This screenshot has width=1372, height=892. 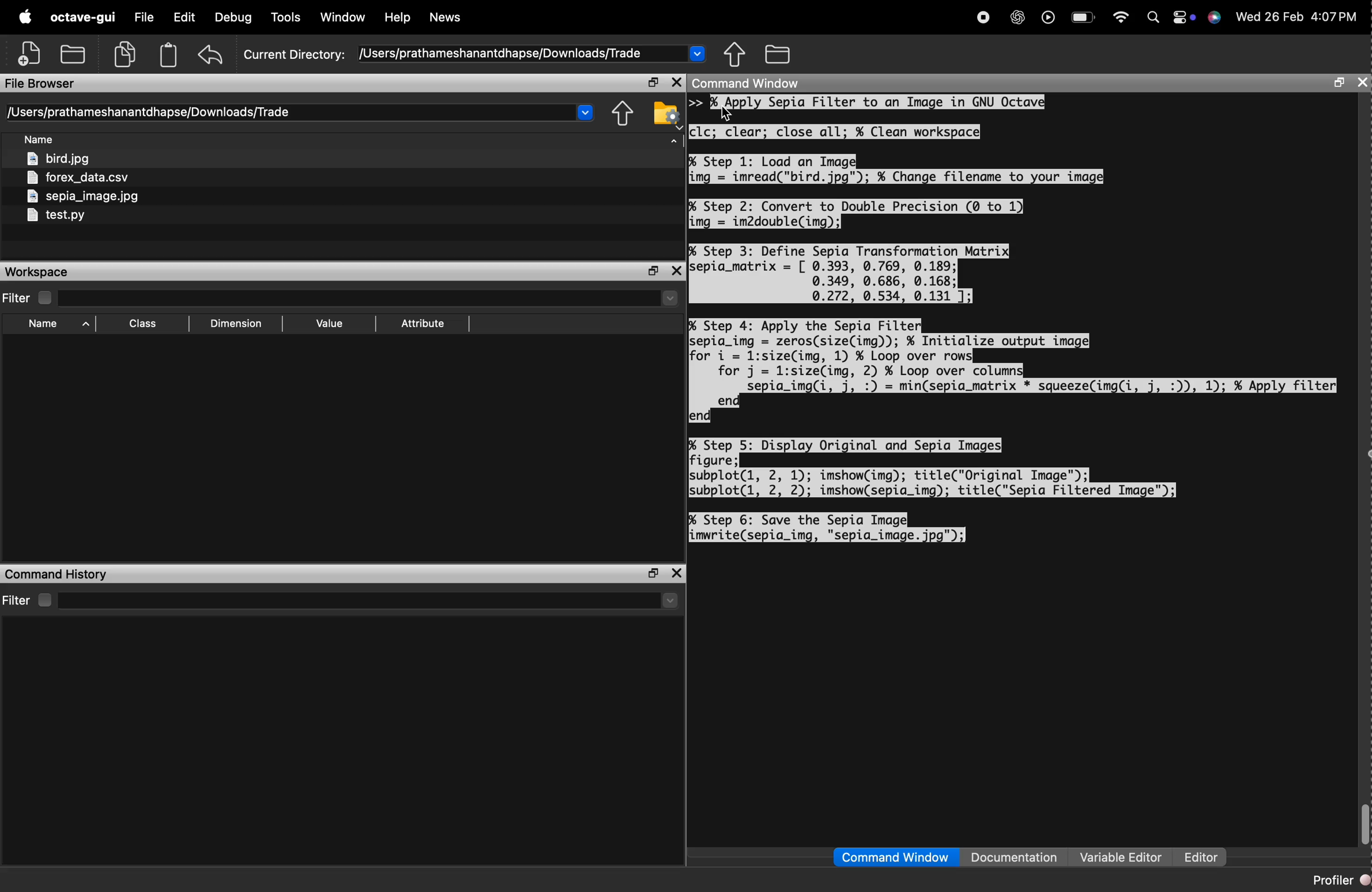 I want to click on Edit, so click(x=183, y=17).